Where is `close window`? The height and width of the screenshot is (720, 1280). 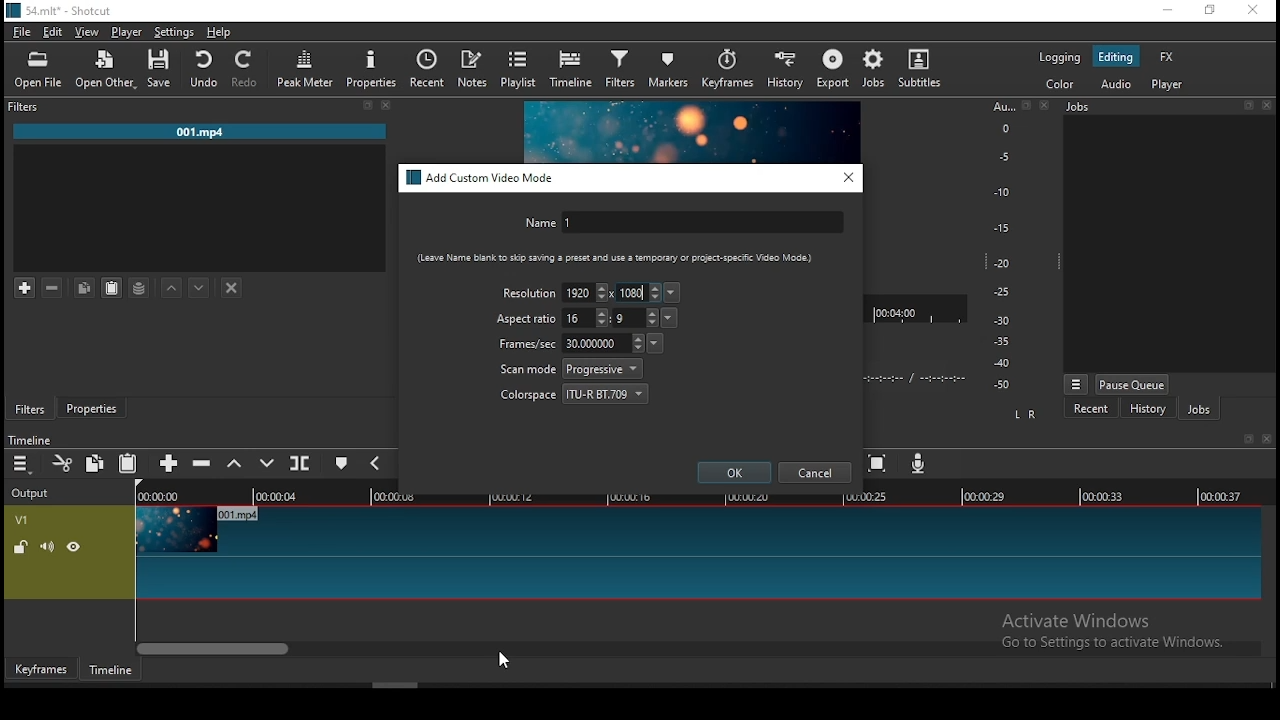
close window is located at coordinates (1252, 11).